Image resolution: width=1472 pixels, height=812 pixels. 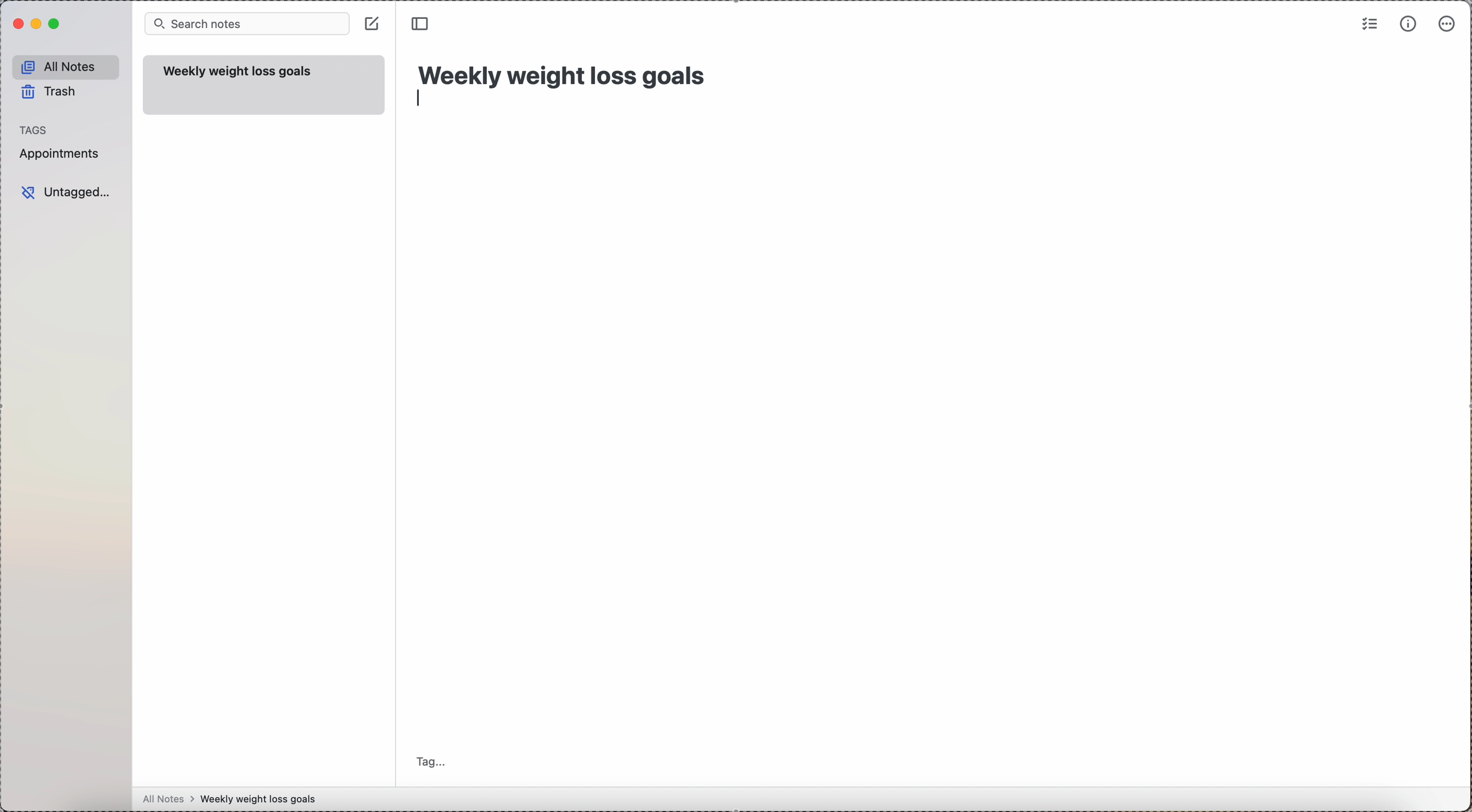 What do you see at coordinates (38, 23) in the screenshot?
I see `minimize Simplenote` at bounding box center [38, 23].